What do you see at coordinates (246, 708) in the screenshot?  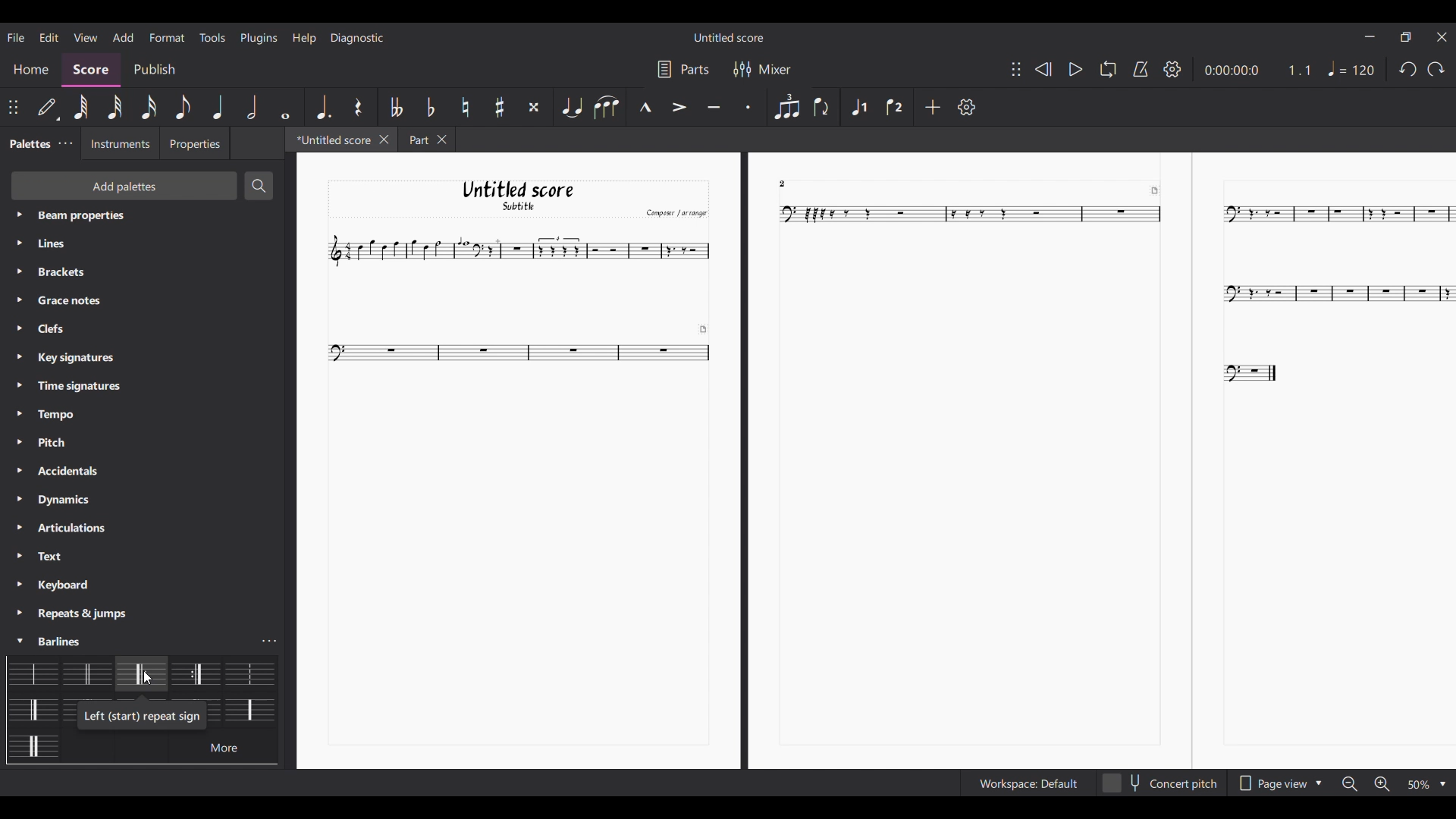 I see `Barline options` at bounding box center [246, 708].